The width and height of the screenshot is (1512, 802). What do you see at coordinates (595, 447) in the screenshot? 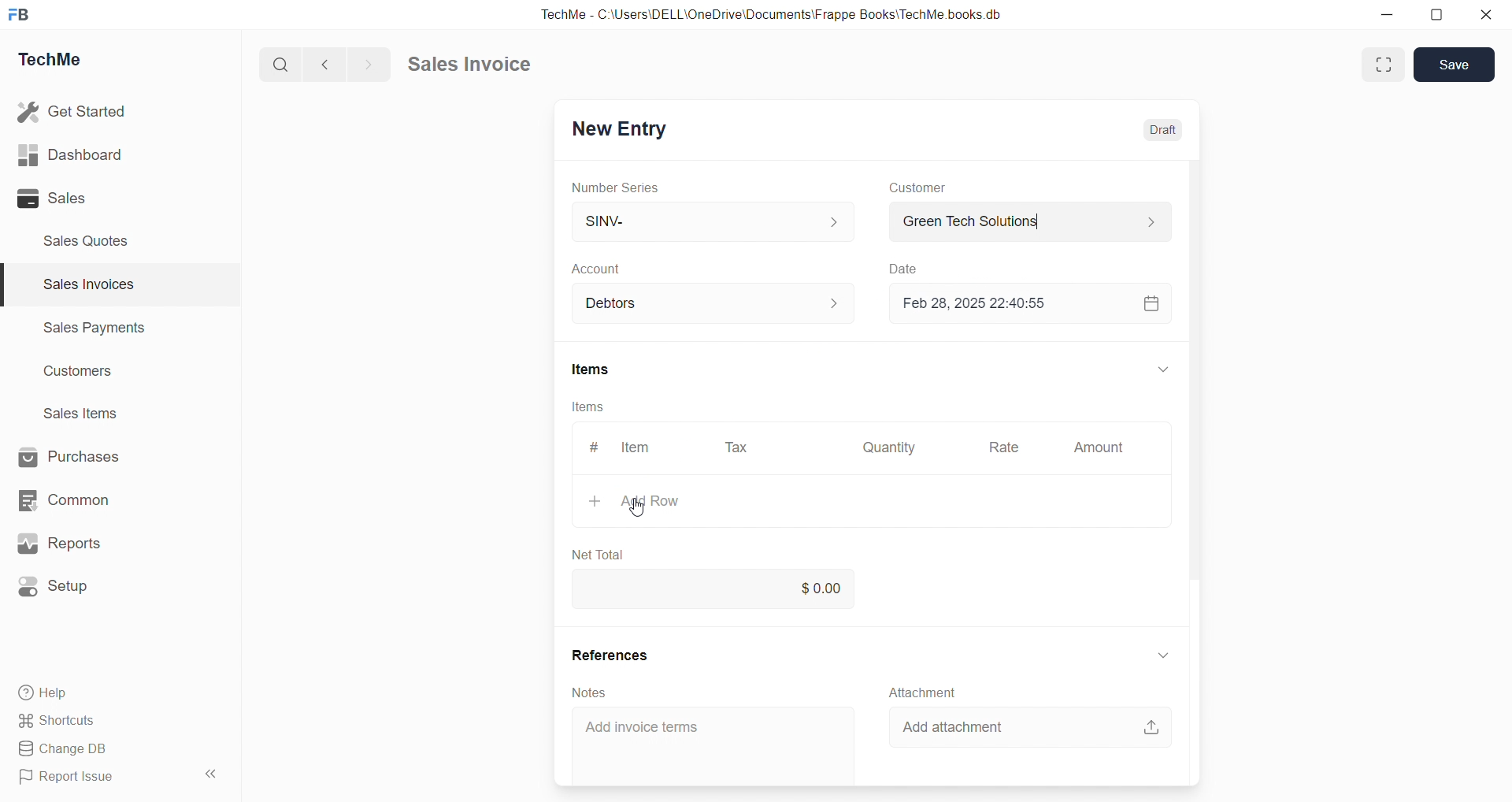
I see `#` at bounding box center [595, 447].